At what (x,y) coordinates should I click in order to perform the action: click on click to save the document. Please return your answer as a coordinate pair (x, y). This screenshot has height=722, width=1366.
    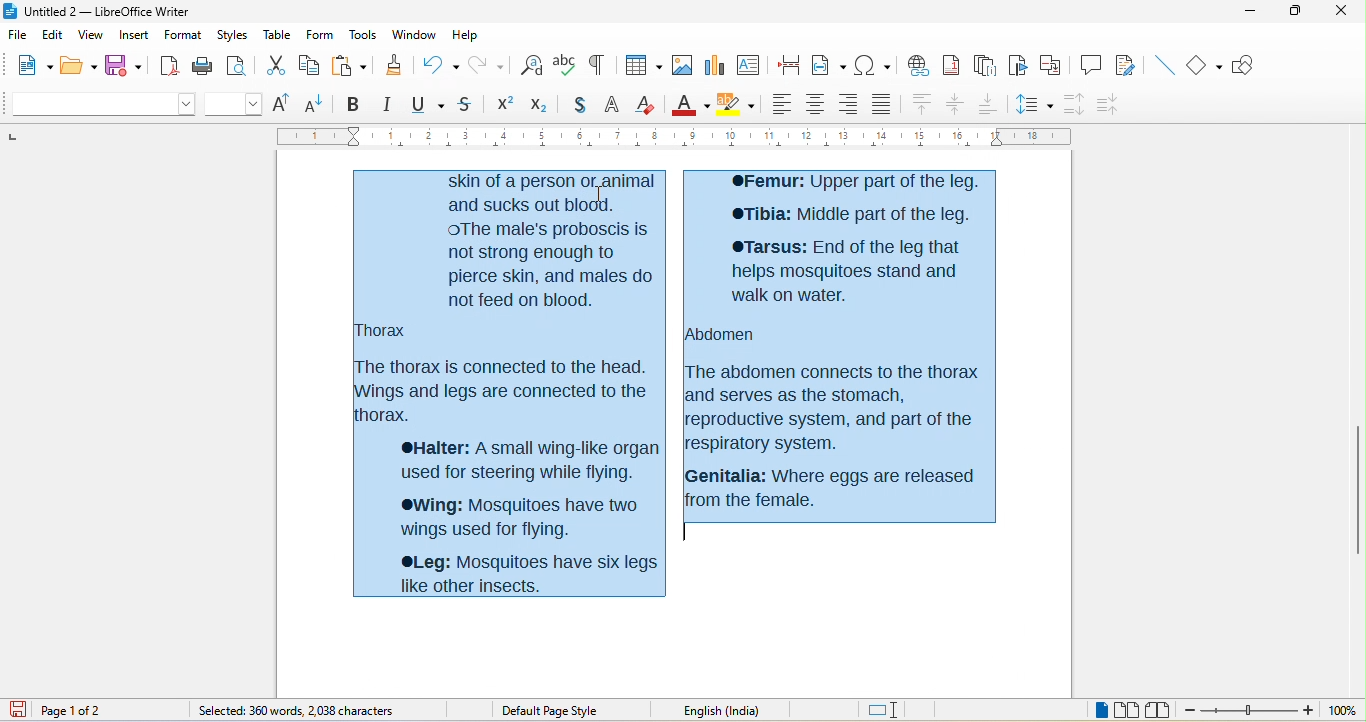
    Looking at the image, I should click on (17, 710).